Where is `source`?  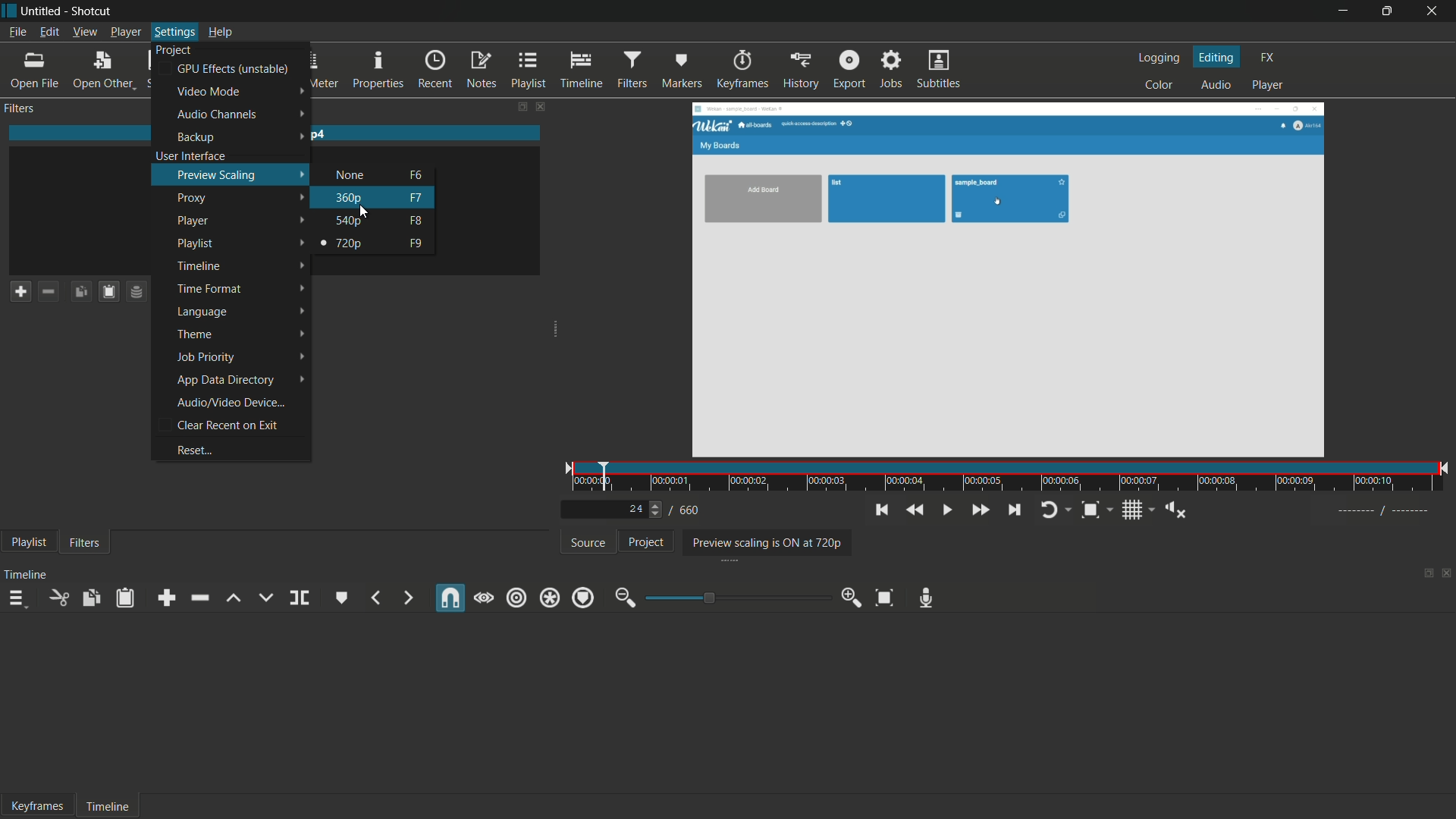 source is located at coordinates (588, 542).